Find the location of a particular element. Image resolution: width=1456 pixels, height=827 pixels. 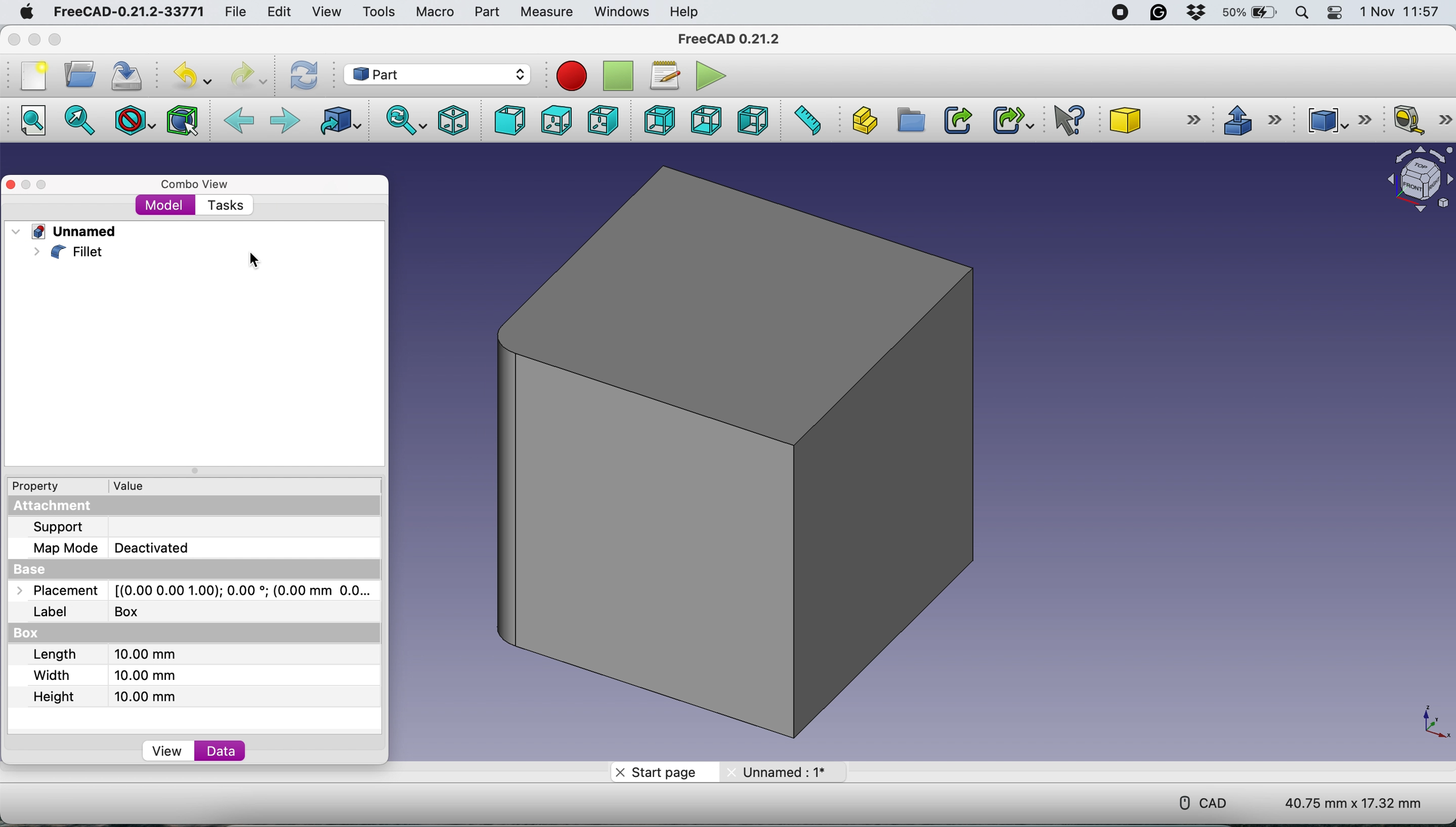

date and time is located at coordinates (1401, 12).